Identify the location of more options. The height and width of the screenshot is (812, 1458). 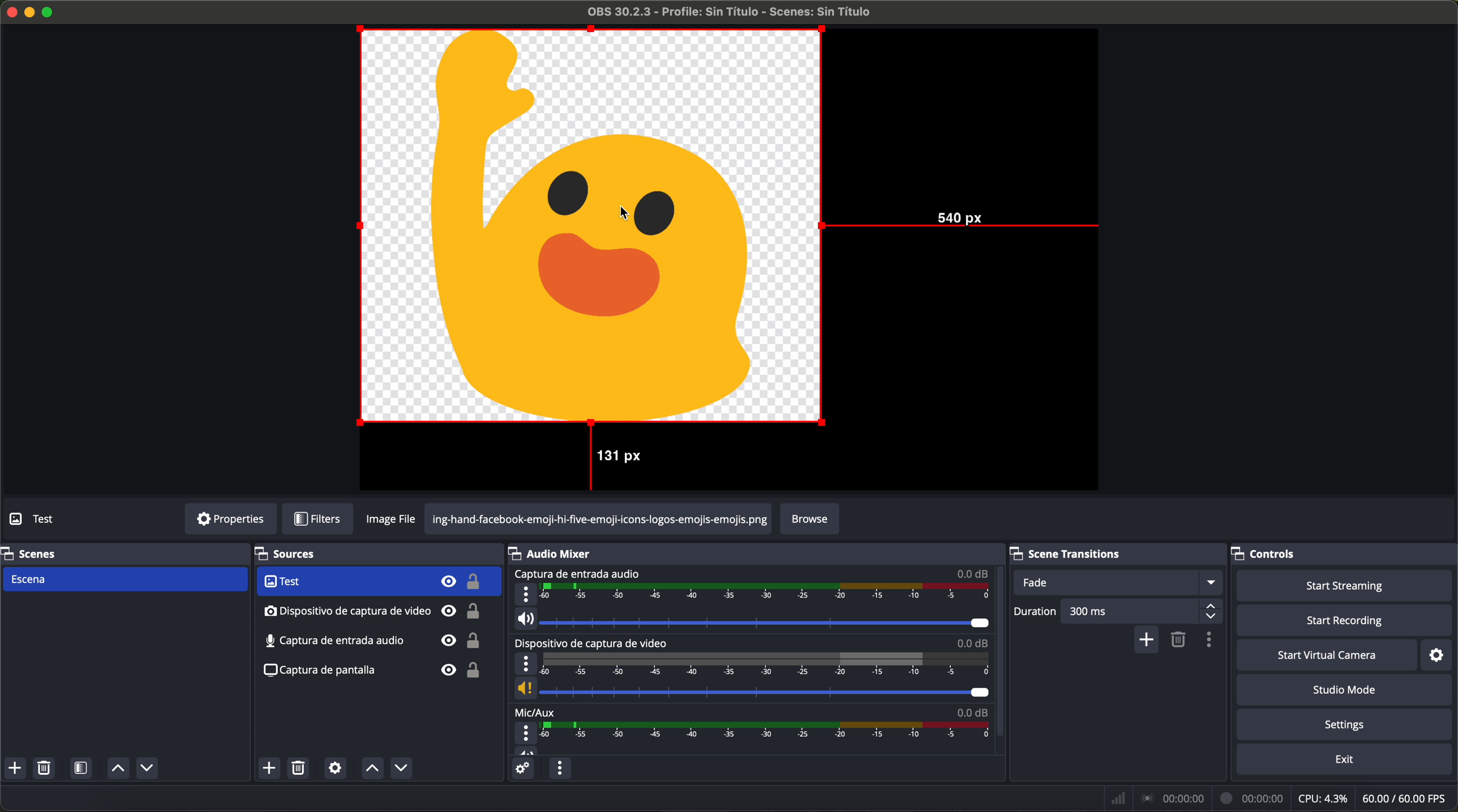
(526, 594).